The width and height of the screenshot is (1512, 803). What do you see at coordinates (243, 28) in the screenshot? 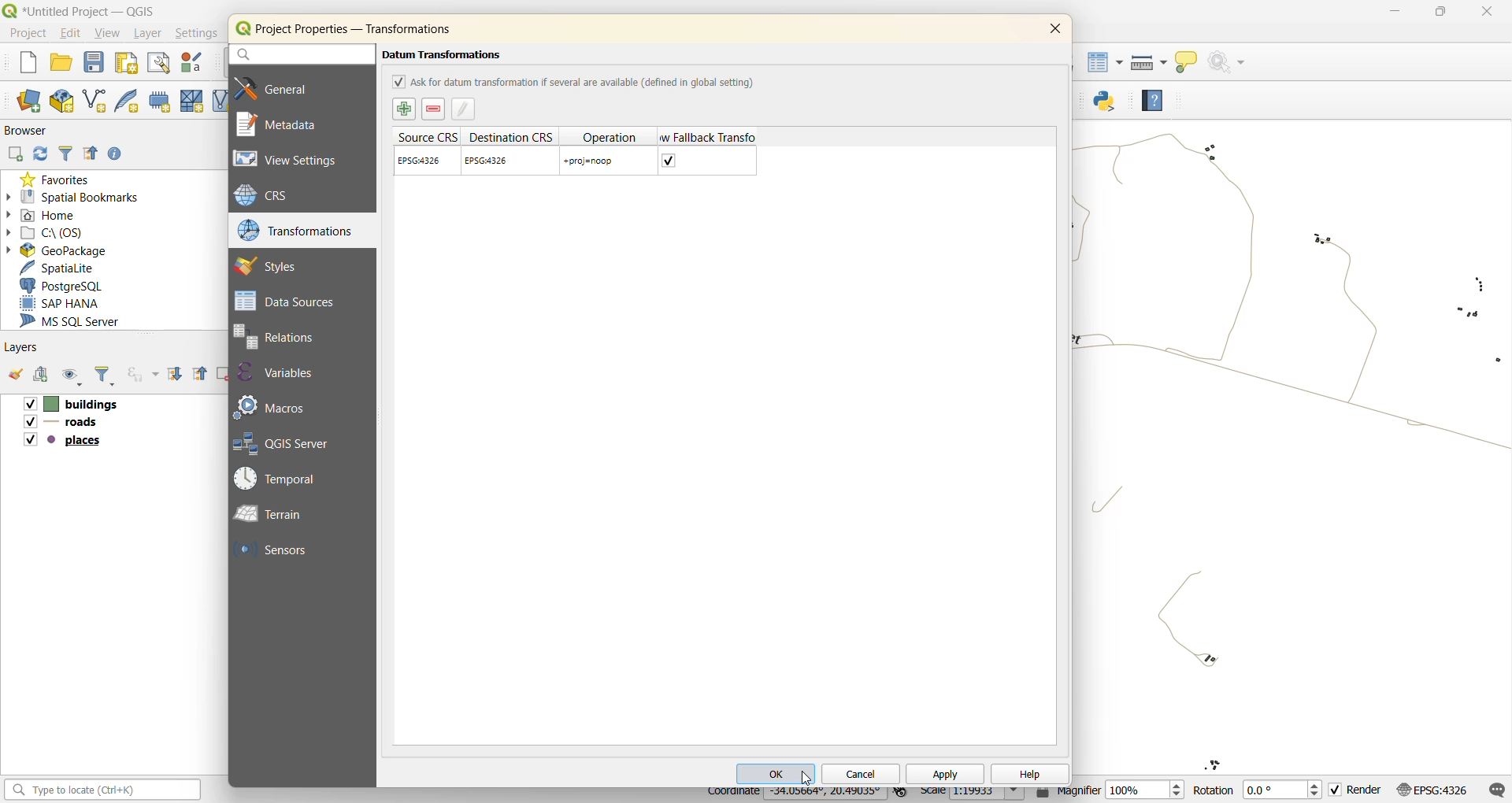
I see `logo` at bounding box center [243, 28].